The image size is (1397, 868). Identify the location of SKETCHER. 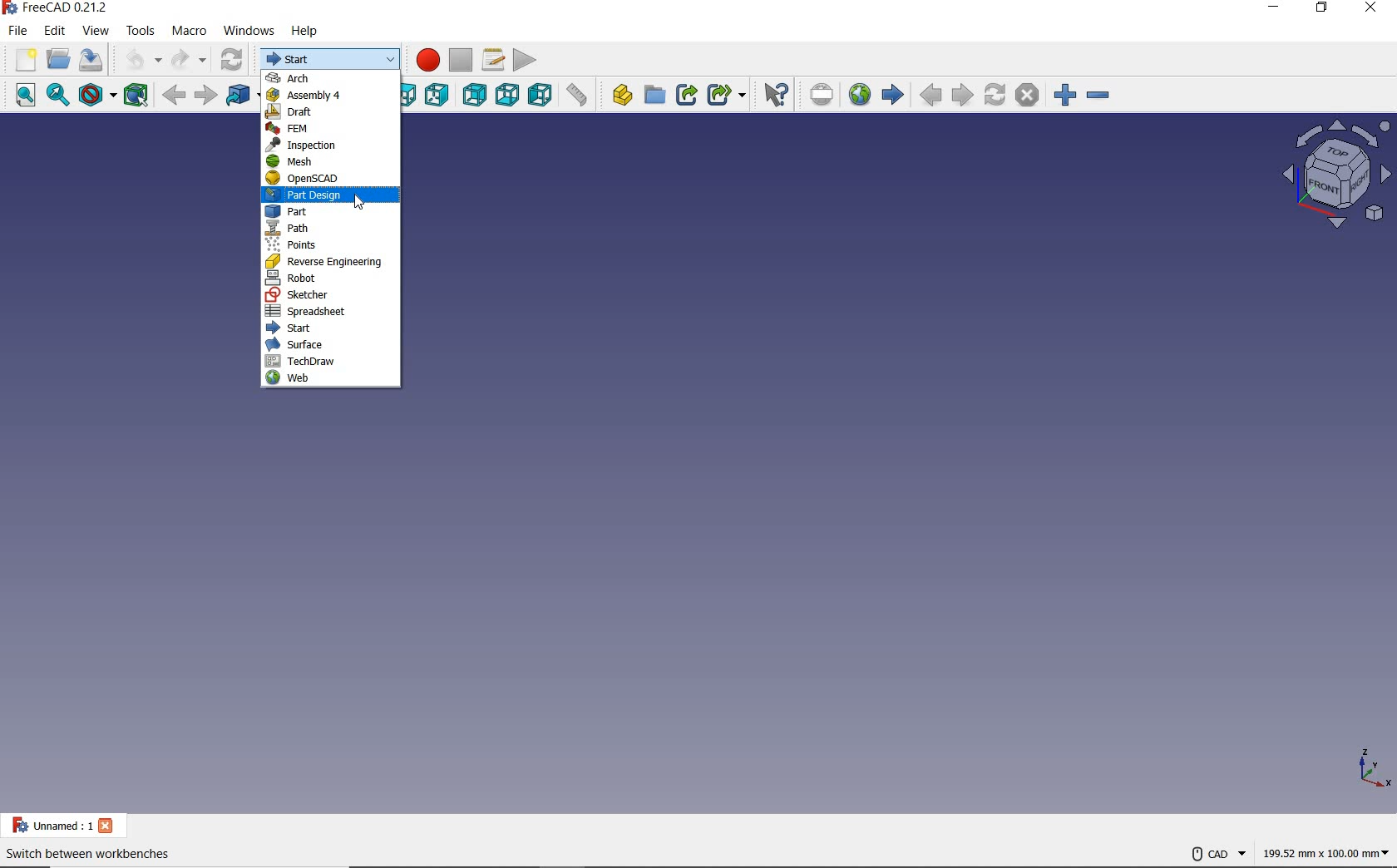
(333, 297).